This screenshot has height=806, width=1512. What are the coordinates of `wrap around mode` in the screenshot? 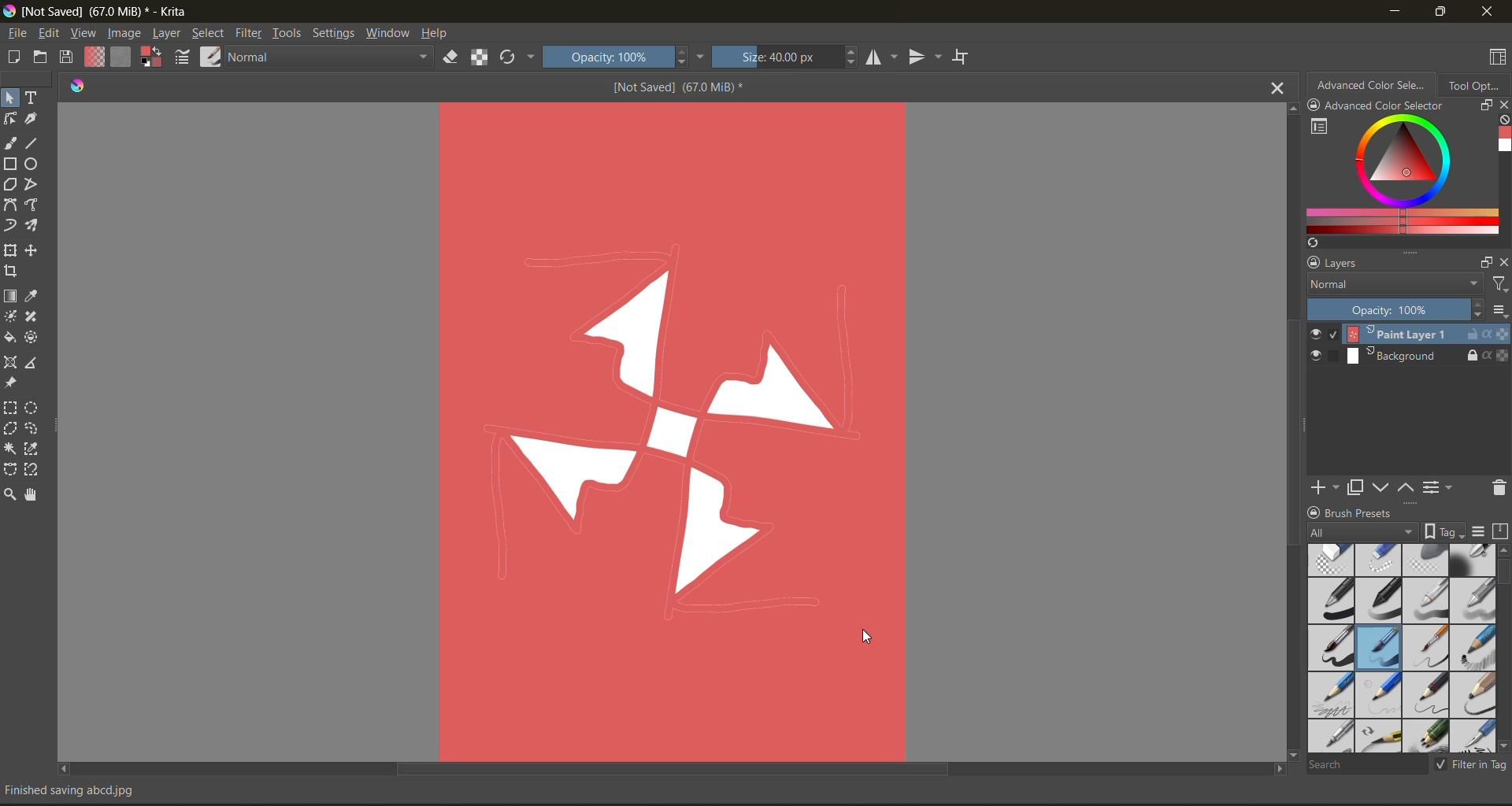 It's located at (962, 57).